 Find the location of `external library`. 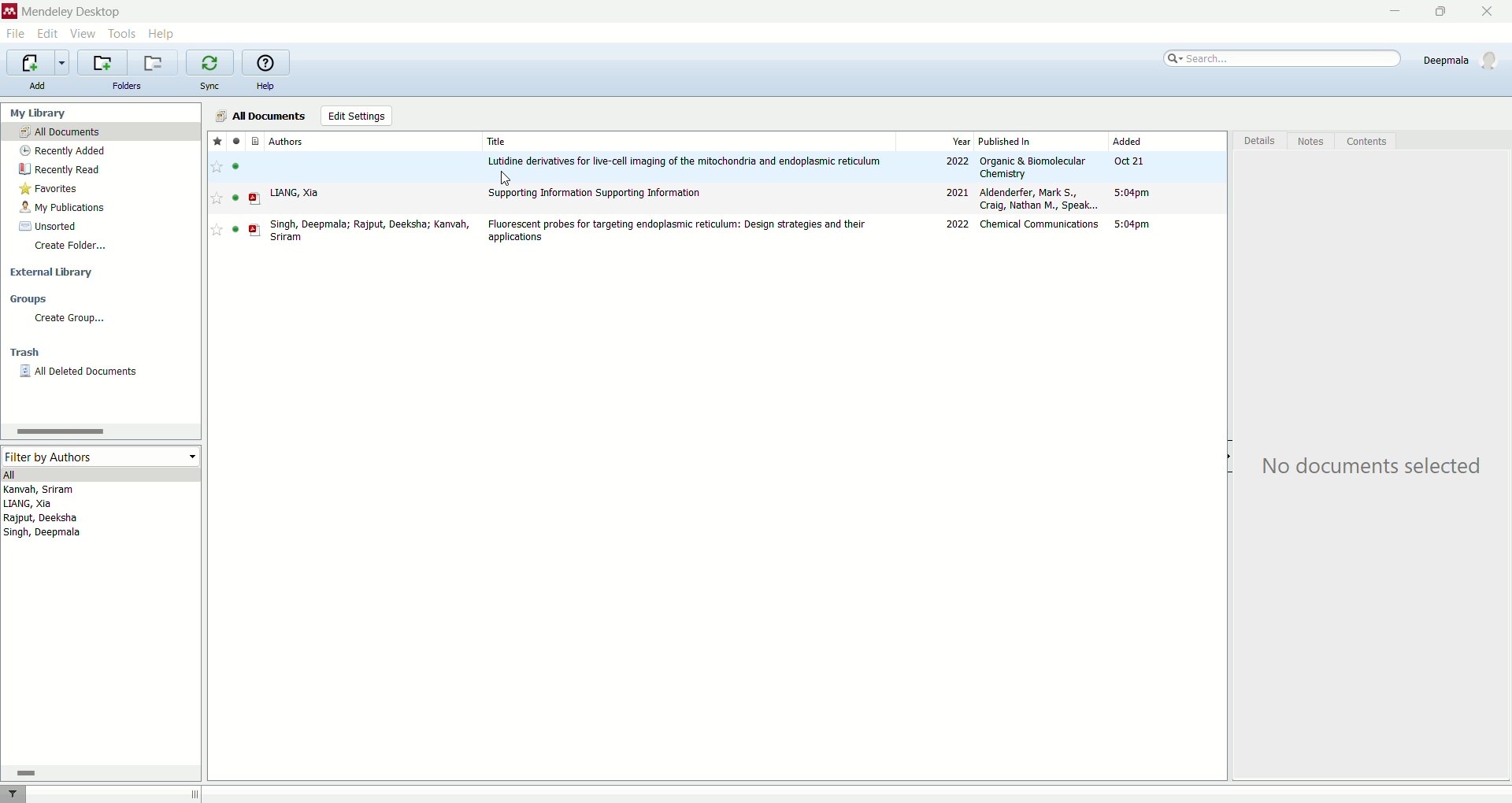

external library is located at coordinates (52, 271).